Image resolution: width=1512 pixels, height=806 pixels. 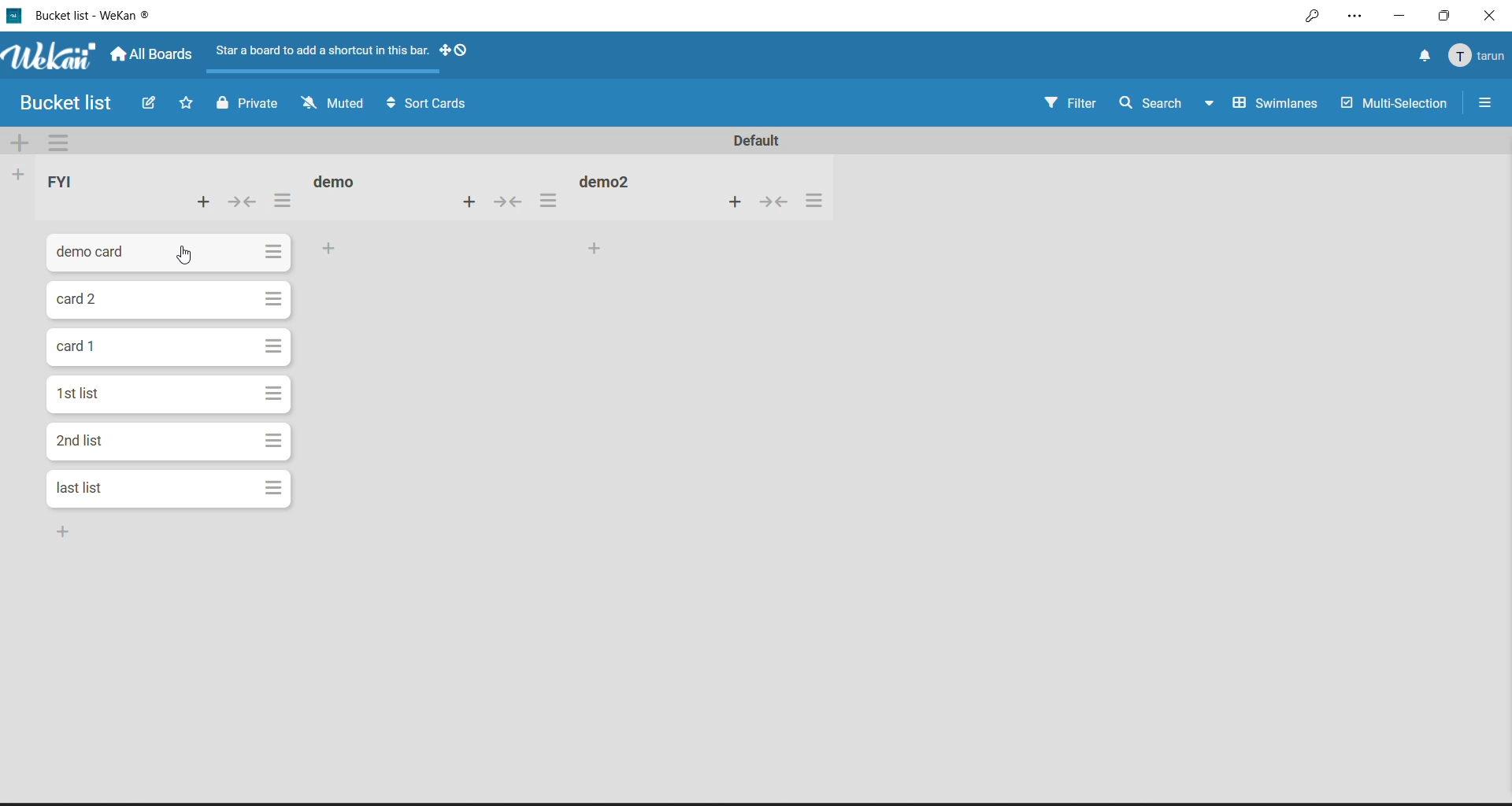 What do you see at coordinates (1152, 105) in the screenshot?
I see `search` at bounding box center [1152, 105].